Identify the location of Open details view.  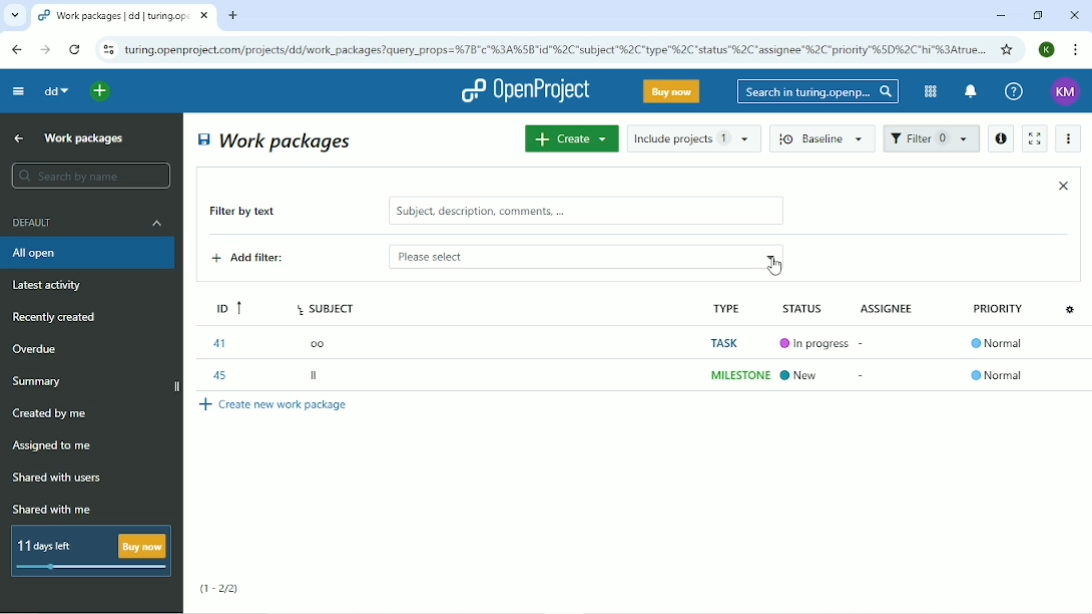
(1000, 139).